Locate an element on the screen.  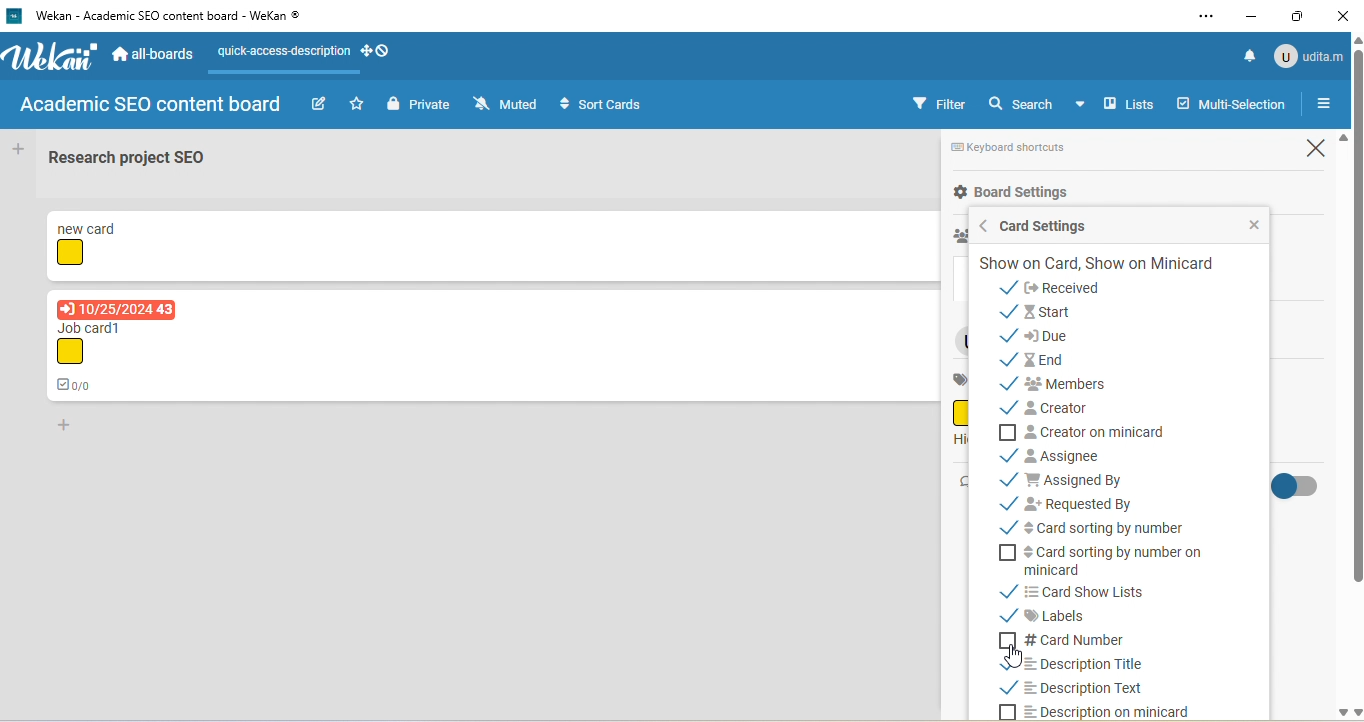
card sorting by number is located at coordinates (1096, 527).